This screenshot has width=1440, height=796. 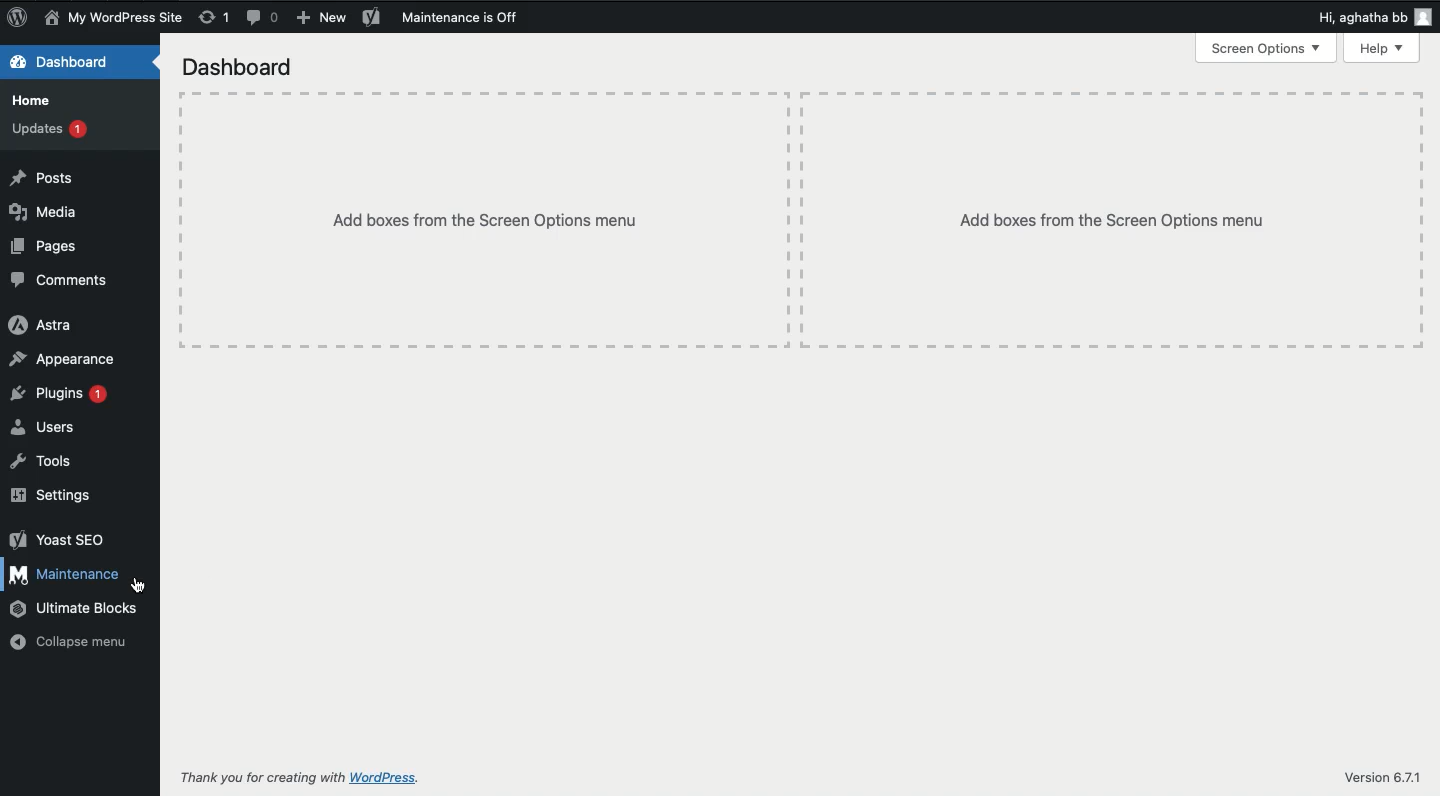 I want to click on Revision, so click(x=214, y=18).